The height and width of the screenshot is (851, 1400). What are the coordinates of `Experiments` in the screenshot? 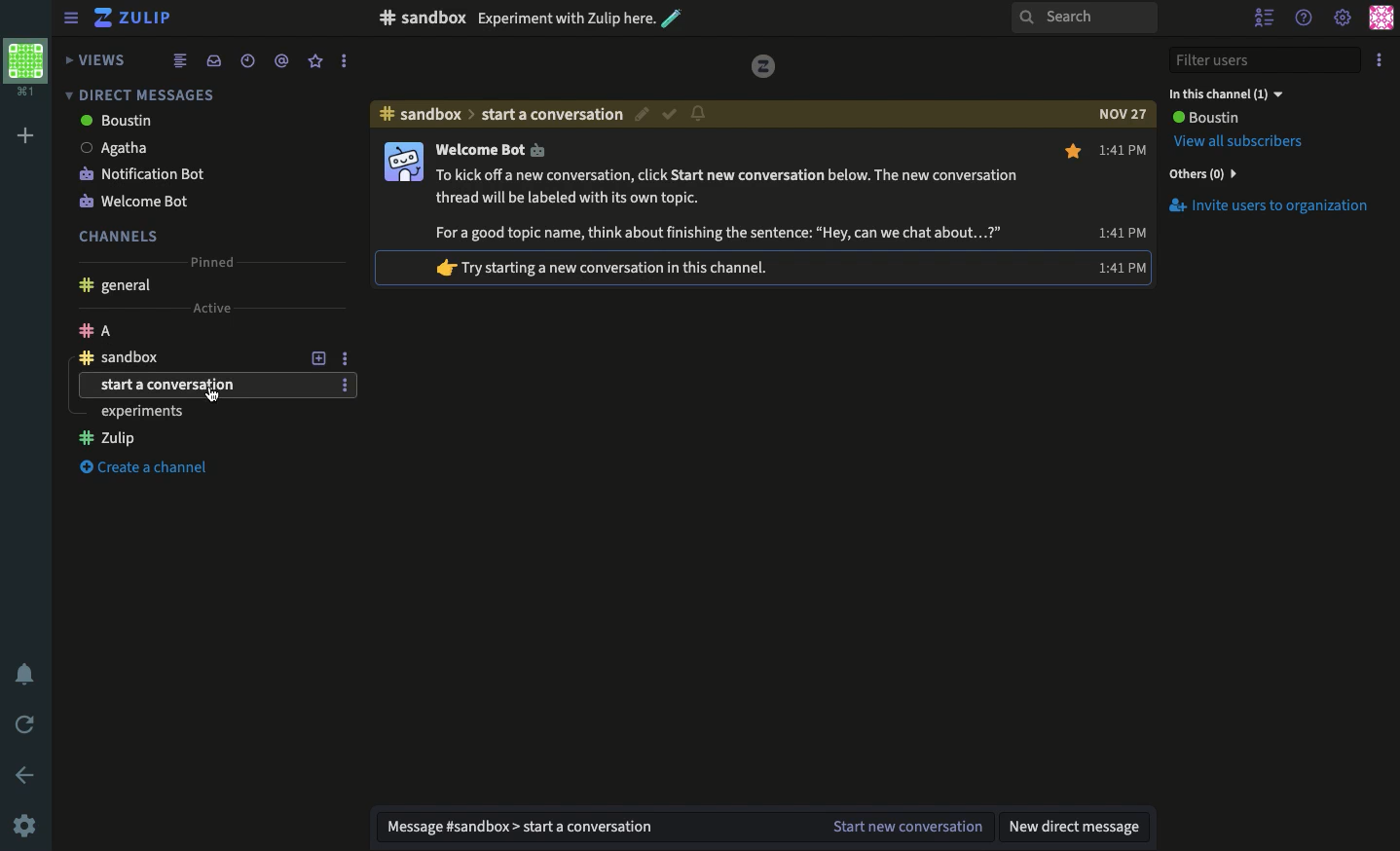 It's located at (201, 439).